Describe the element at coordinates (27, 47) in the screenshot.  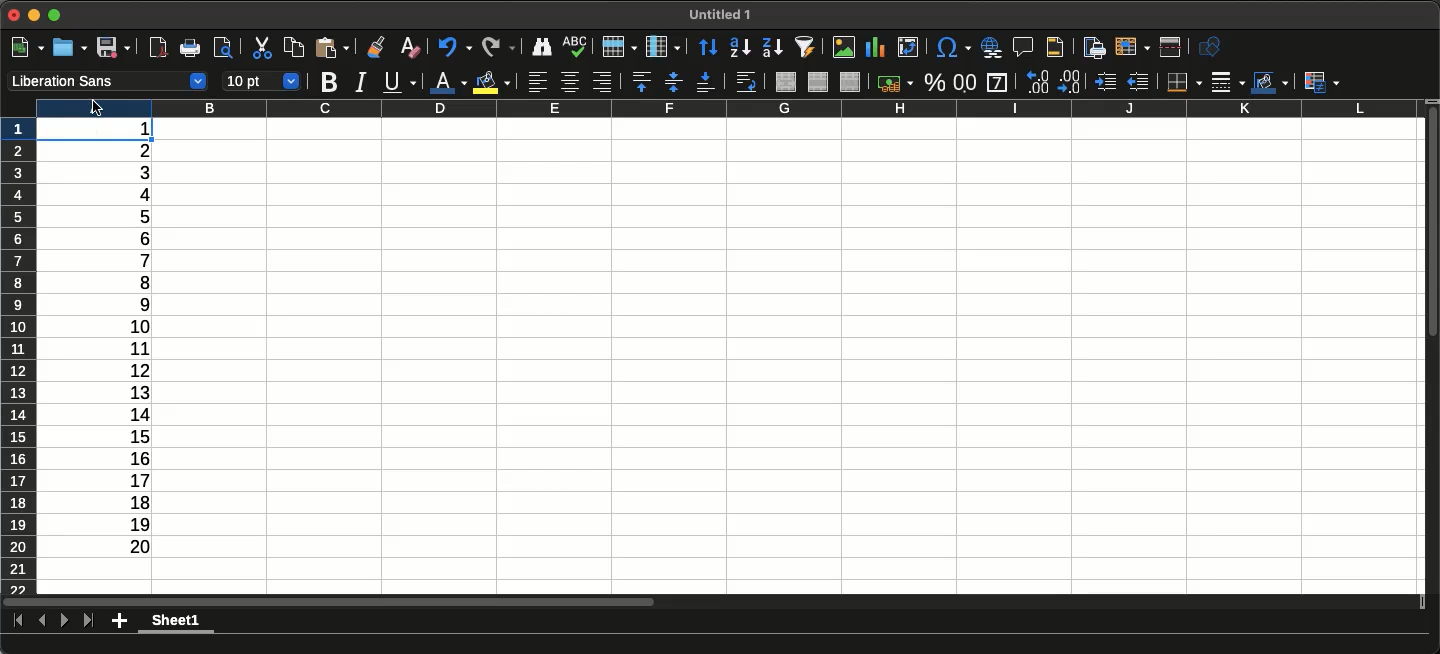
I see `New` at that location.